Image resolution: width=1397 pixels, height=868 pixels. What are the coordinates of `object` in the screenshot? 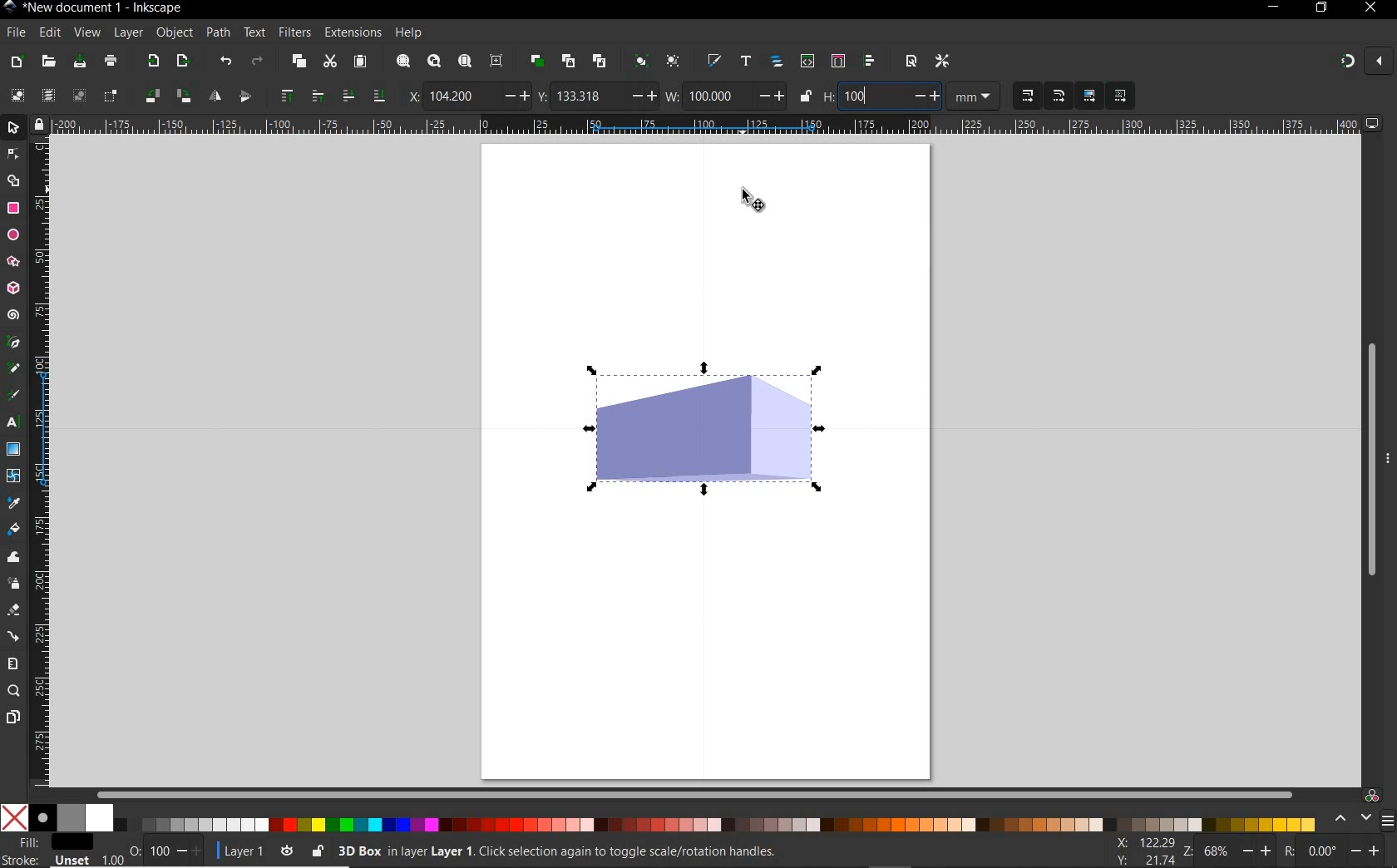 It's located at (174, 33).